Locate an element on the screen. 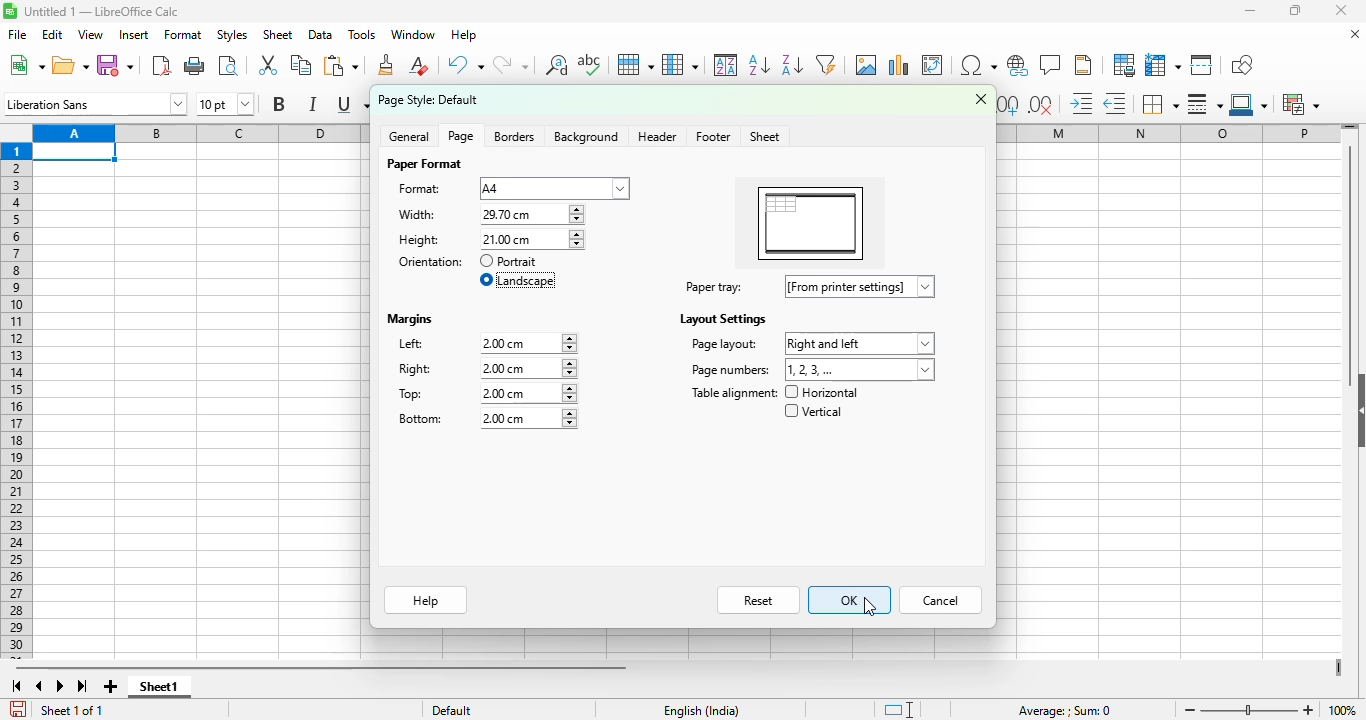 The height and width of the screenshot is (720, 1366). bottom:  is located at coordinates (421, 418).